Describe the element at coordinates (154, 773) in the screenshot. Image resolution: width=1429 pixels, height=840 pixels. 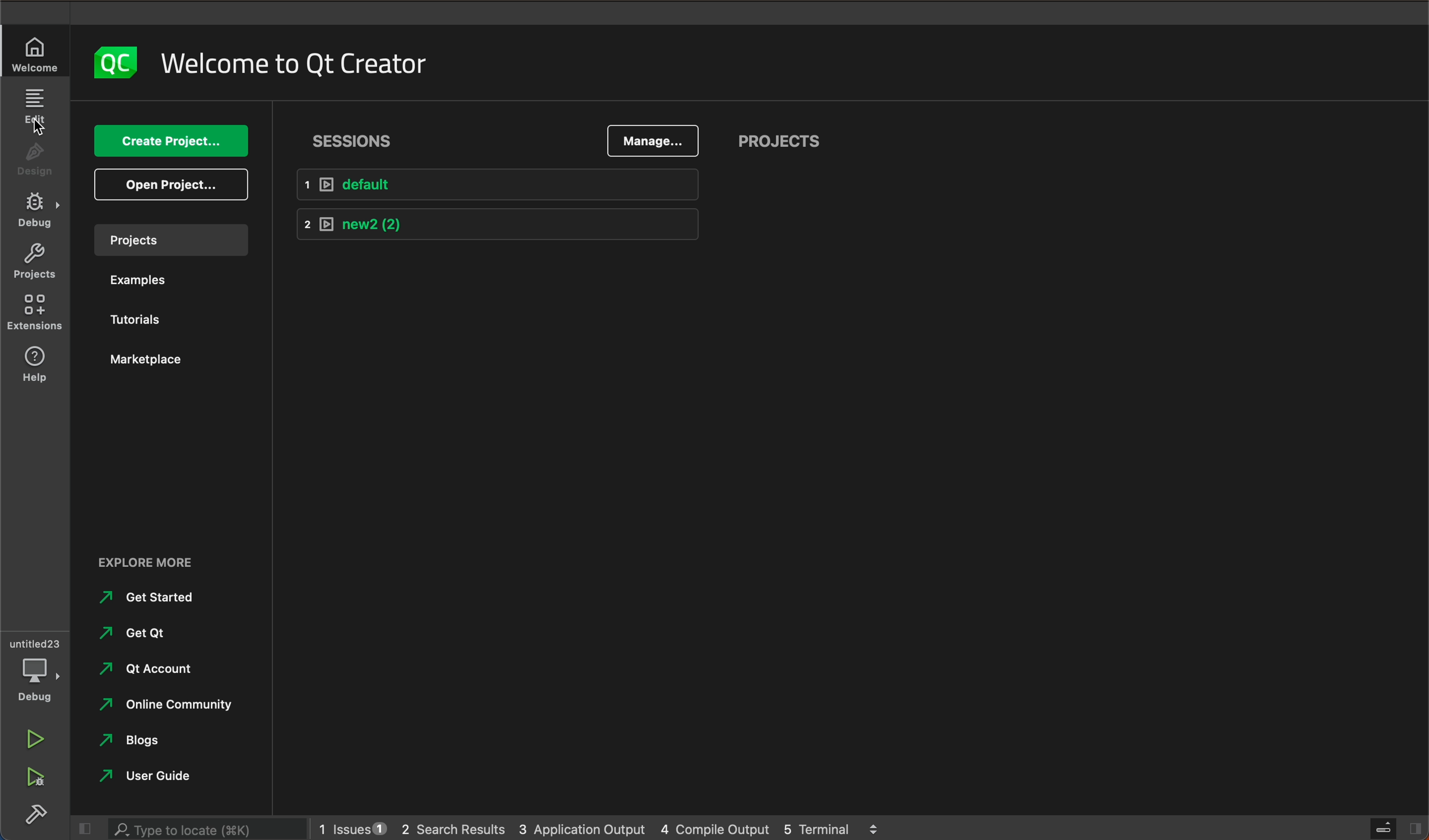
I see `user guide` at that location.